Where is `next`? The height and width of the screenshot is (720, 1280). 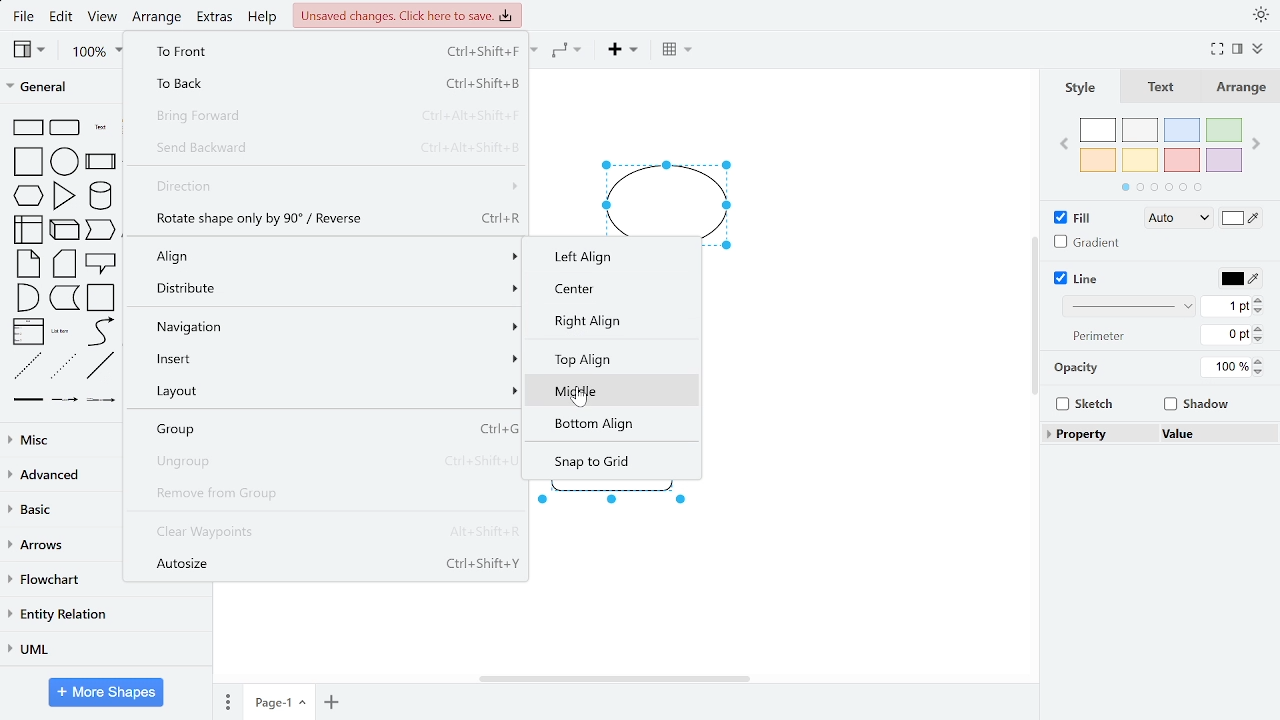
next is located at coordinates (1256, 145).